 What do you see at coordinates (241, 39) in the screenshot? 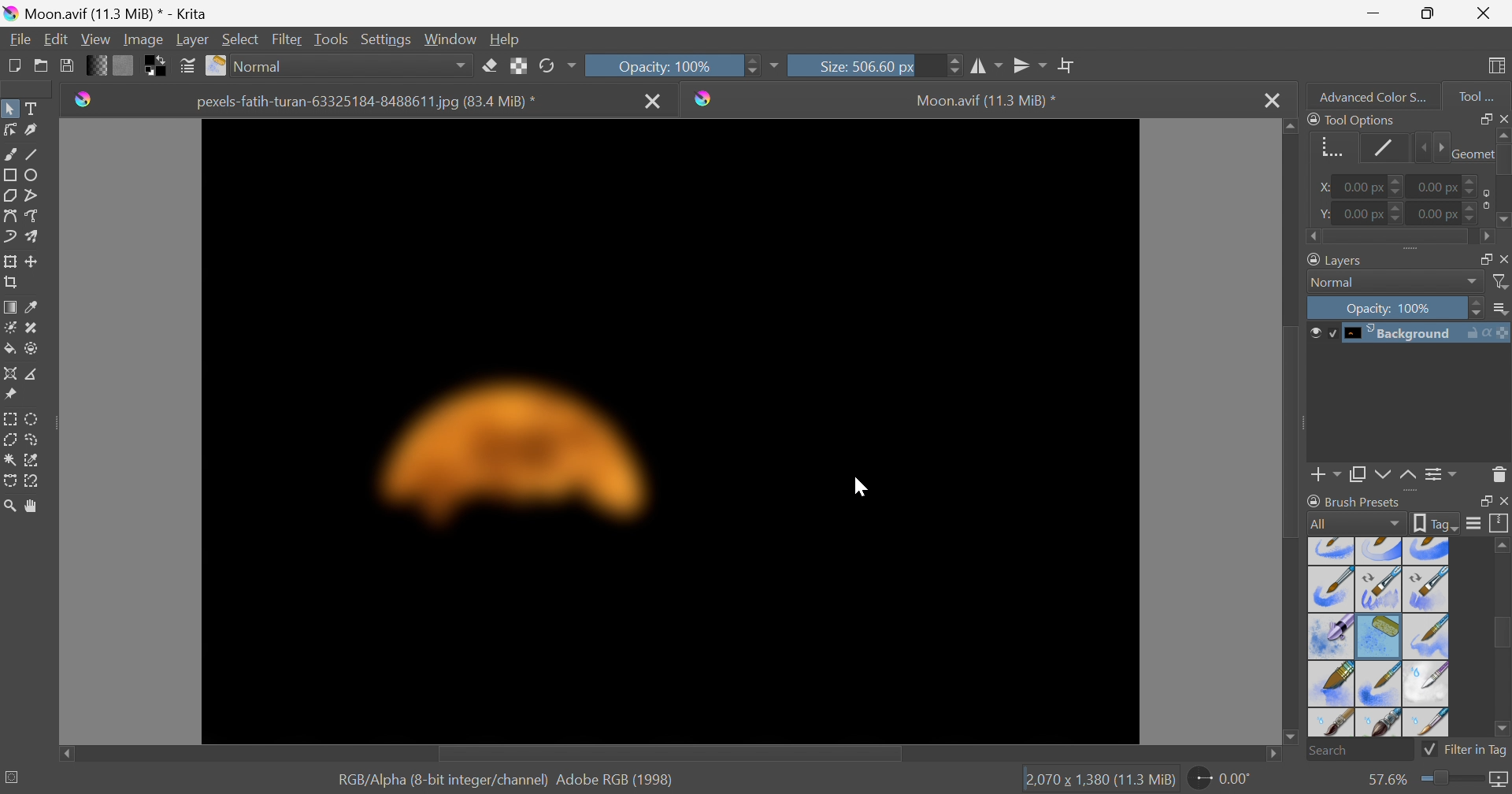
I see `Select` at bounding box center [241, 39].